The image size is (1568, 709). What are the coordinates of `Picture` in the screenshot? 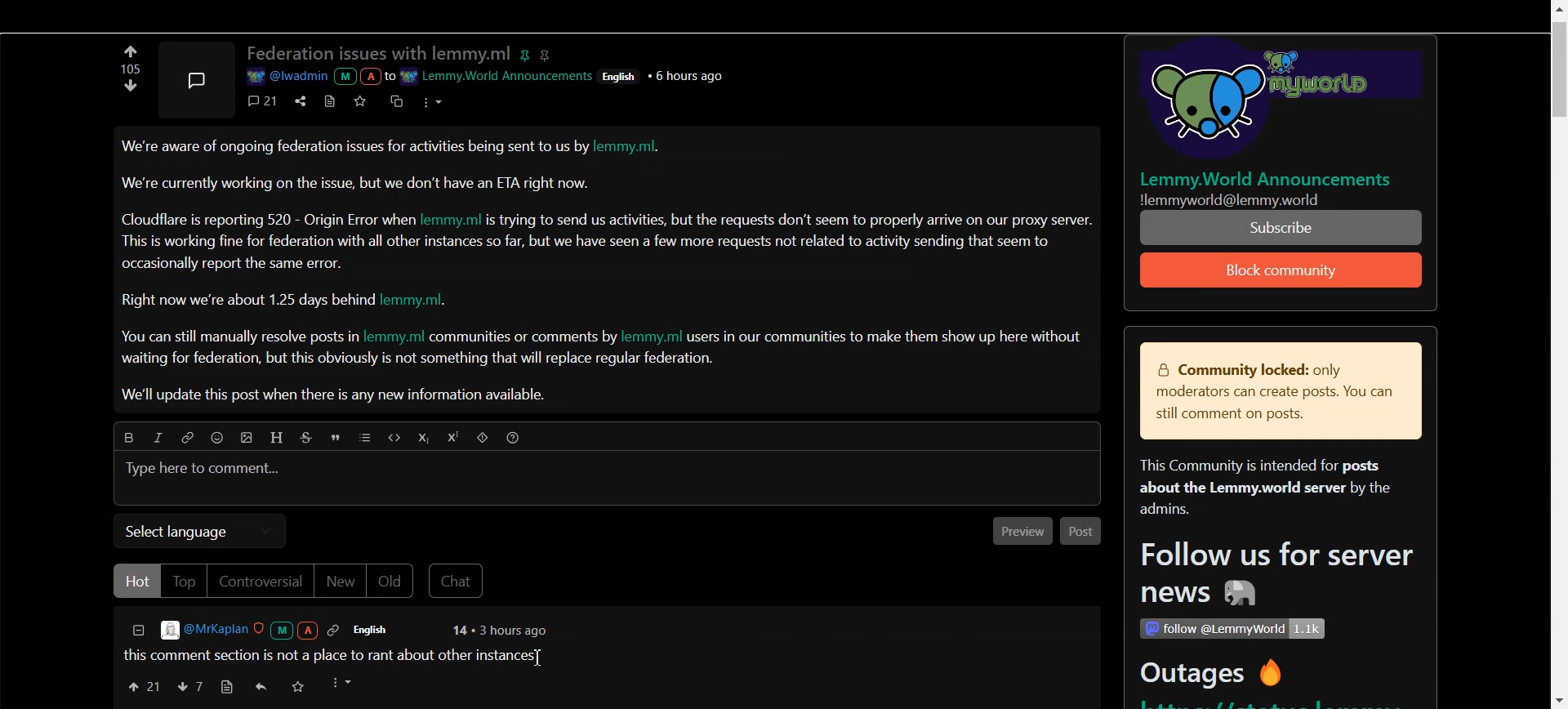 It's located at (195, 77).